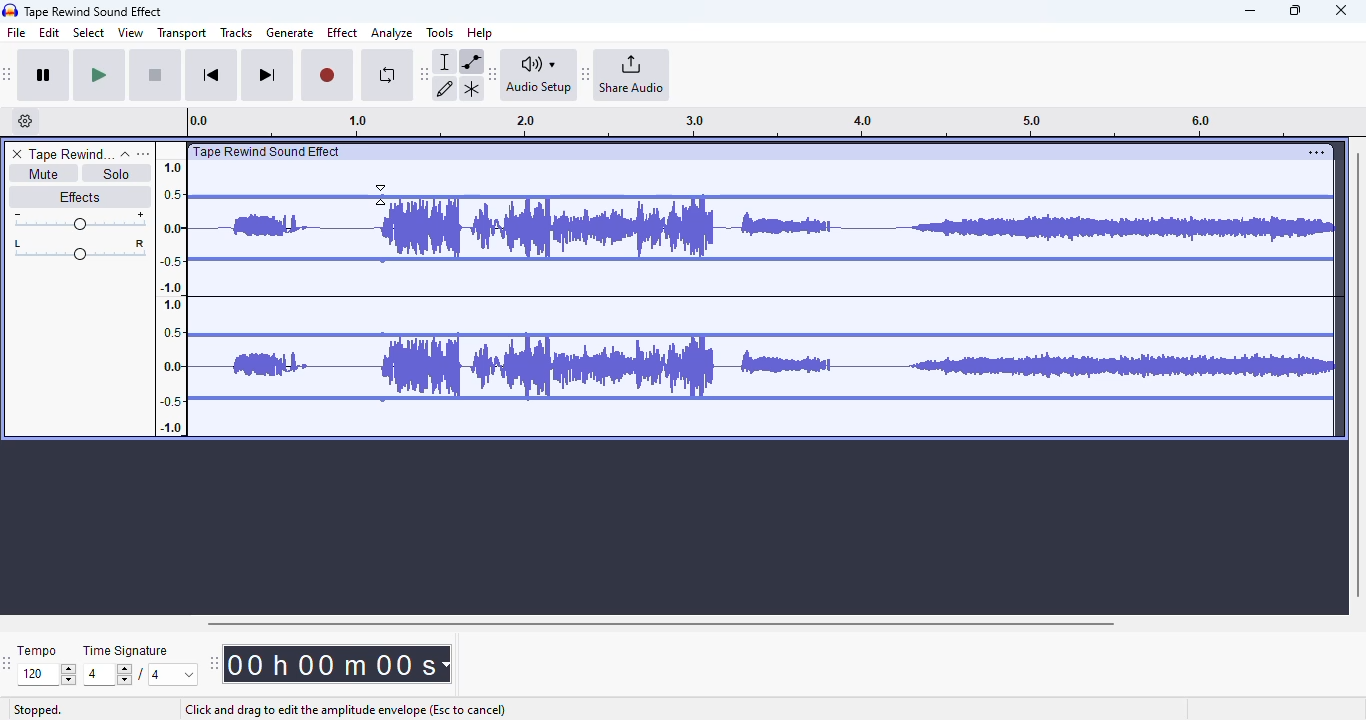  I want to click on Move audacity transport toolbar, so click(8, 74).